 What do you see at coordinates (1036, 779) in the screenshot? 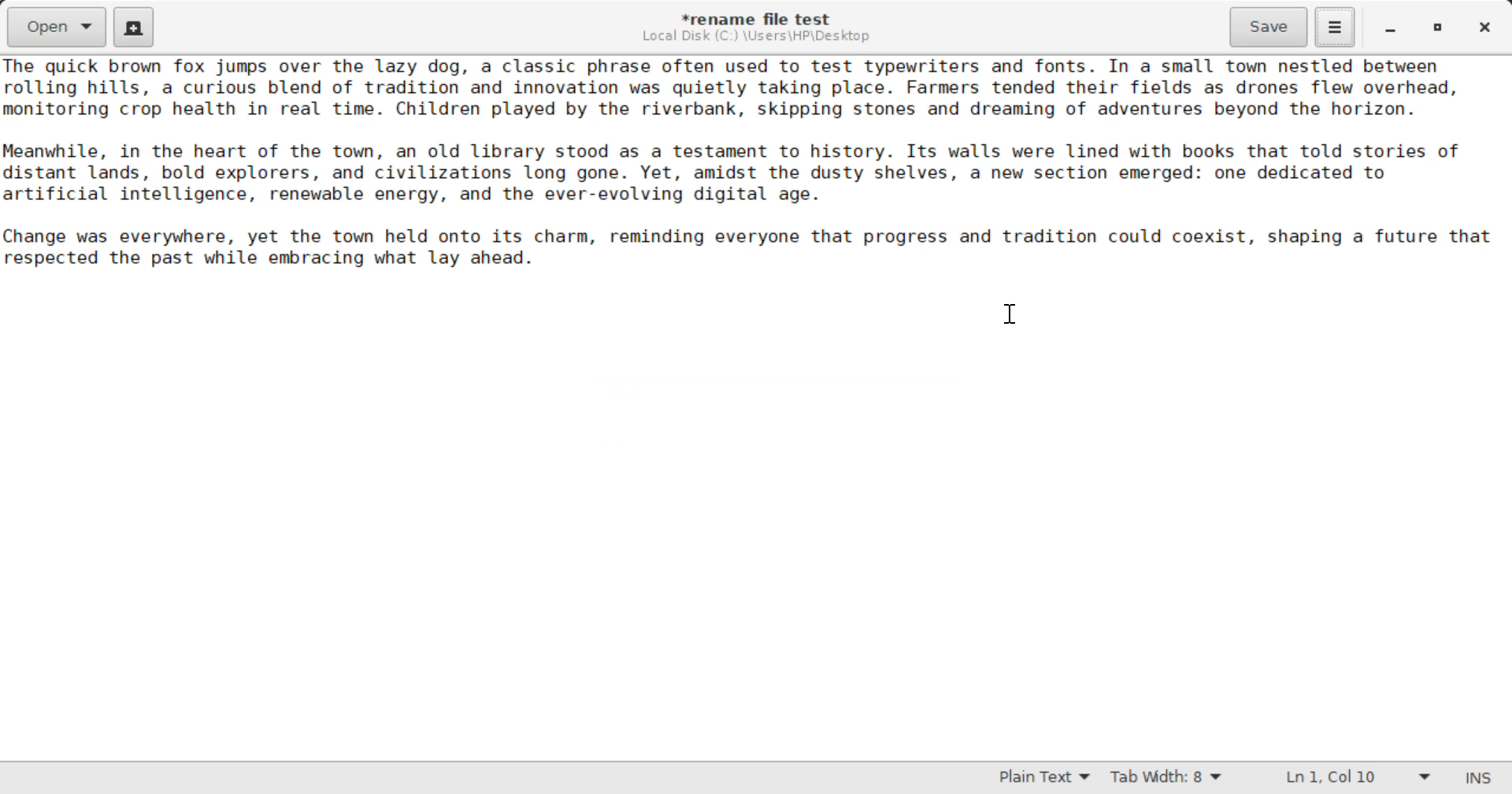
I see `Selected Language` at bounding box center [1036, 779].